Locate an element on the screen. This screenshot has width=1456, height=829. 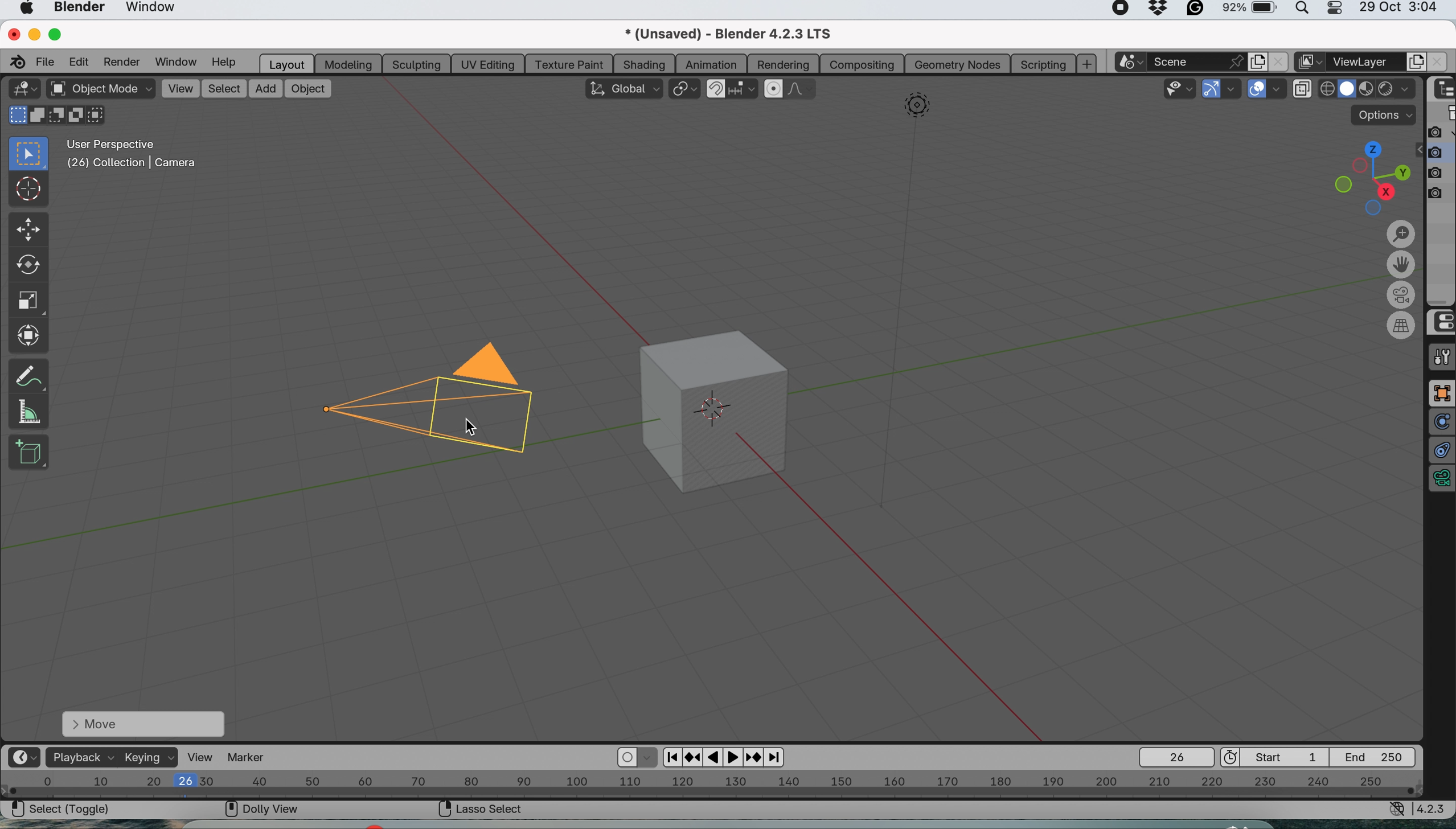
drop down is located at coordinates (1398, 91).